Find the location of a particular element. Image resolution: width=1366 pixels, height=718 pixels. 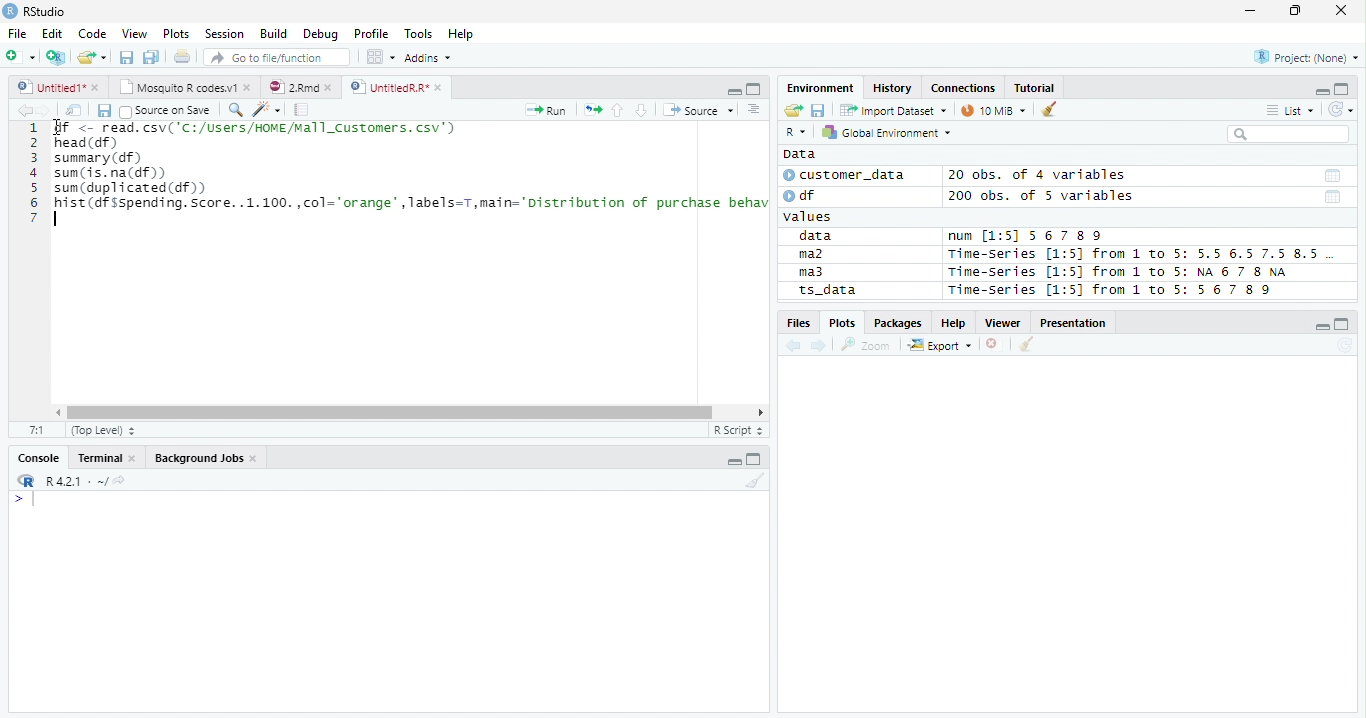

Save is located at coordinates (103, 110).